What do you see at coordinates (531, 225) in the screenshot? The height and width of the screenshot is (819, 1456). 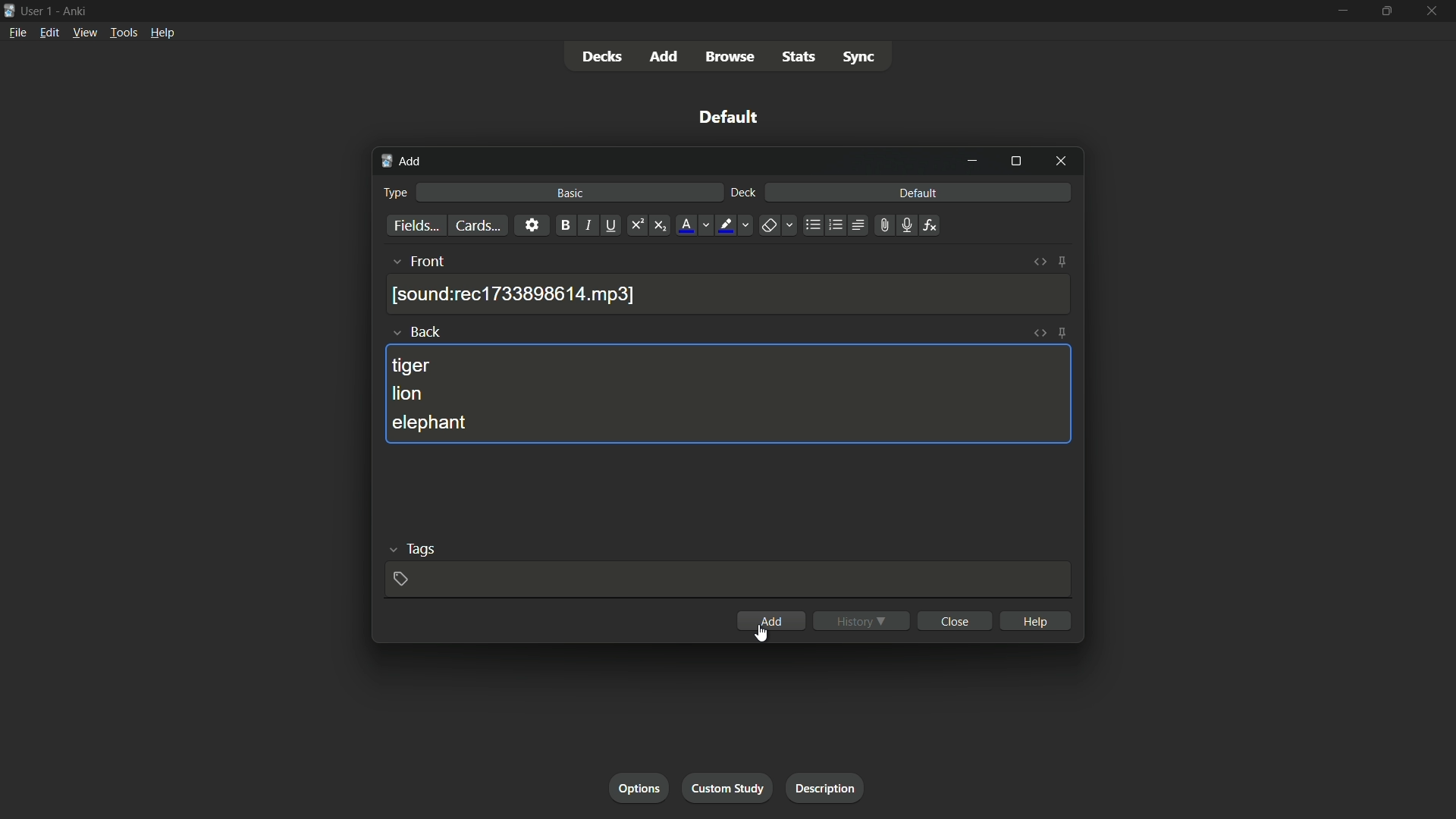 I see `settings` at bounding box center [531, 225].